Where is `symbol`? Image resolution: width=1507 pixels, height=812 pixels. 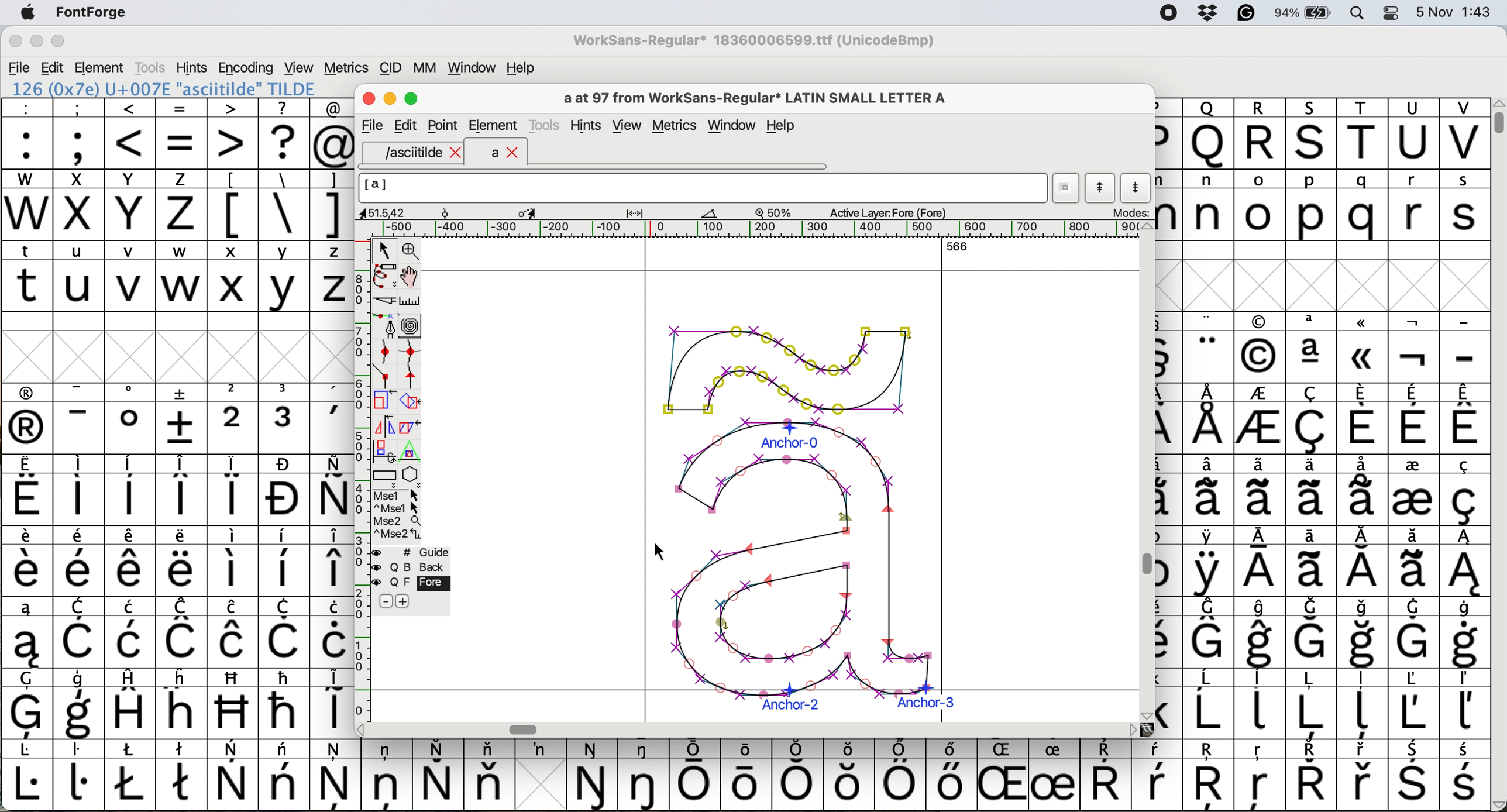 symbol is located at coordinates (1466, 418).